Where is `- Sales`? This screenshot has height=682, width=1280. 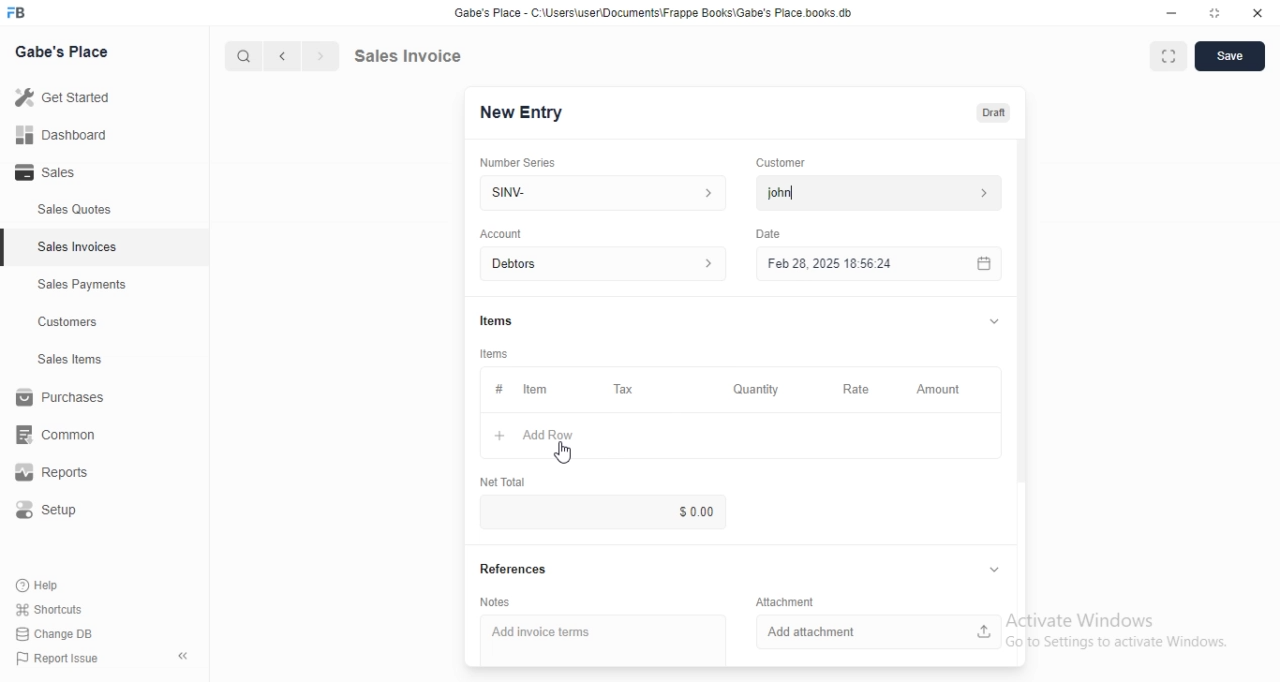
- Sales is located at coordinates (64, 175).